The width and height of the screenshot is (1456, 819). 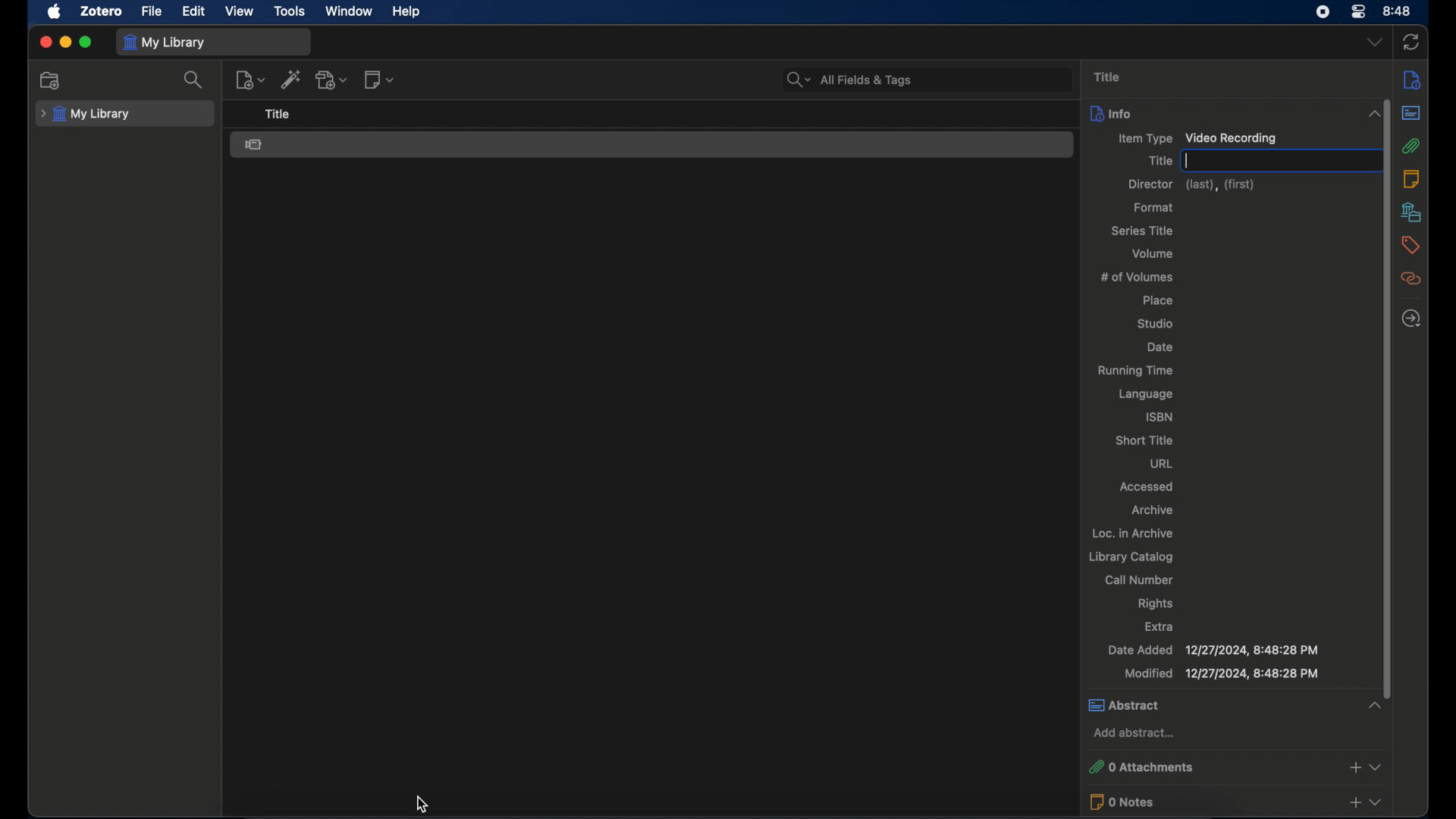 What do you see at coordinates (1160, 416) in the screenshot?
I see `isbn` at bounding box center [1160, 416].